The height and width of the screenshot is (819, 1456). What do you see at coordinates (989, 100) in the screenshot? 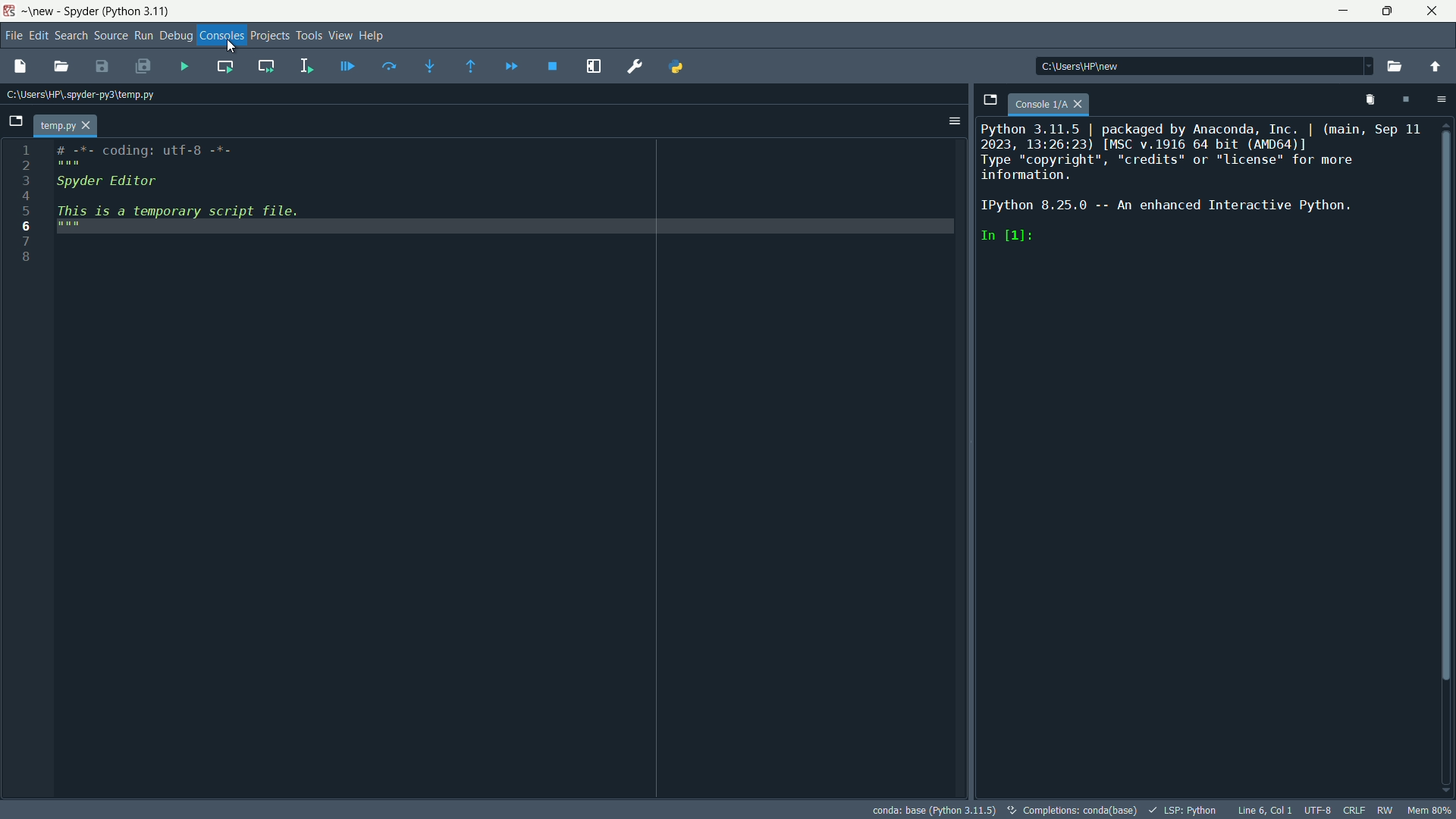
I see `browse tabs` at bounding box center [989, 100].